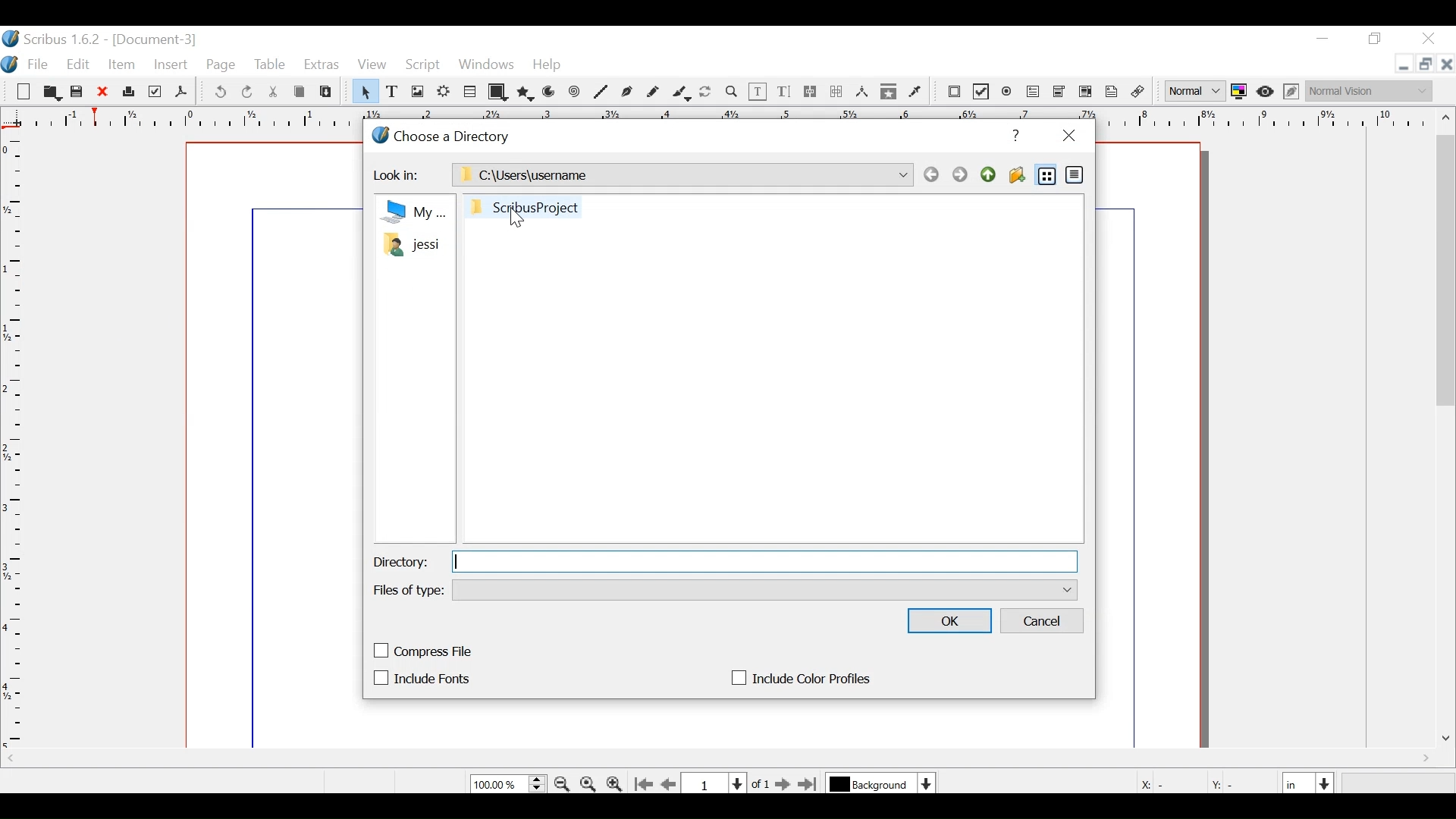  Describe the element at coordinates (645, 783) in the screenshot. I see `Go to the first page` at that location.